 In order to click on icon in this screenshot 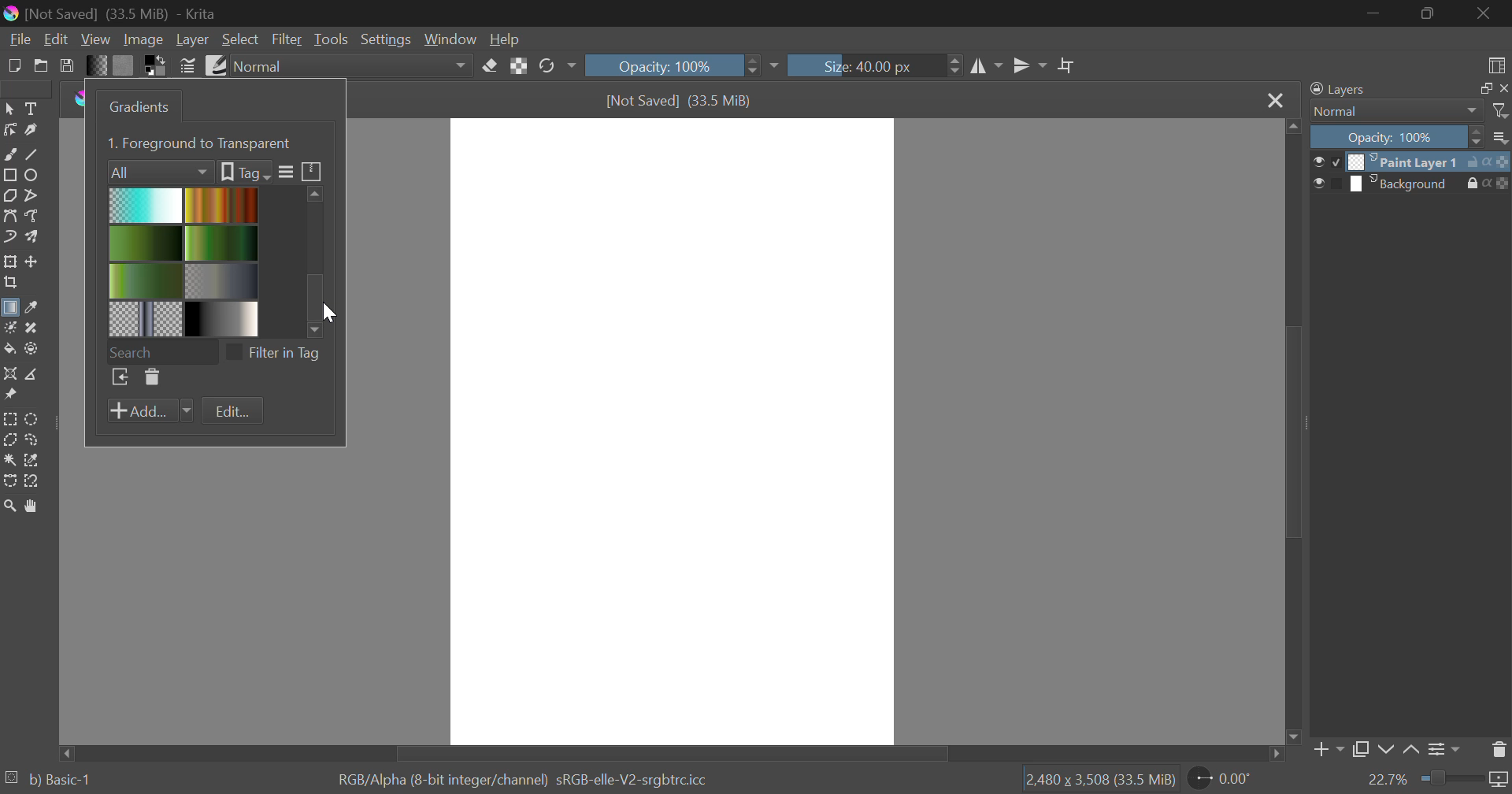, I will do `click(1499, 161)`.